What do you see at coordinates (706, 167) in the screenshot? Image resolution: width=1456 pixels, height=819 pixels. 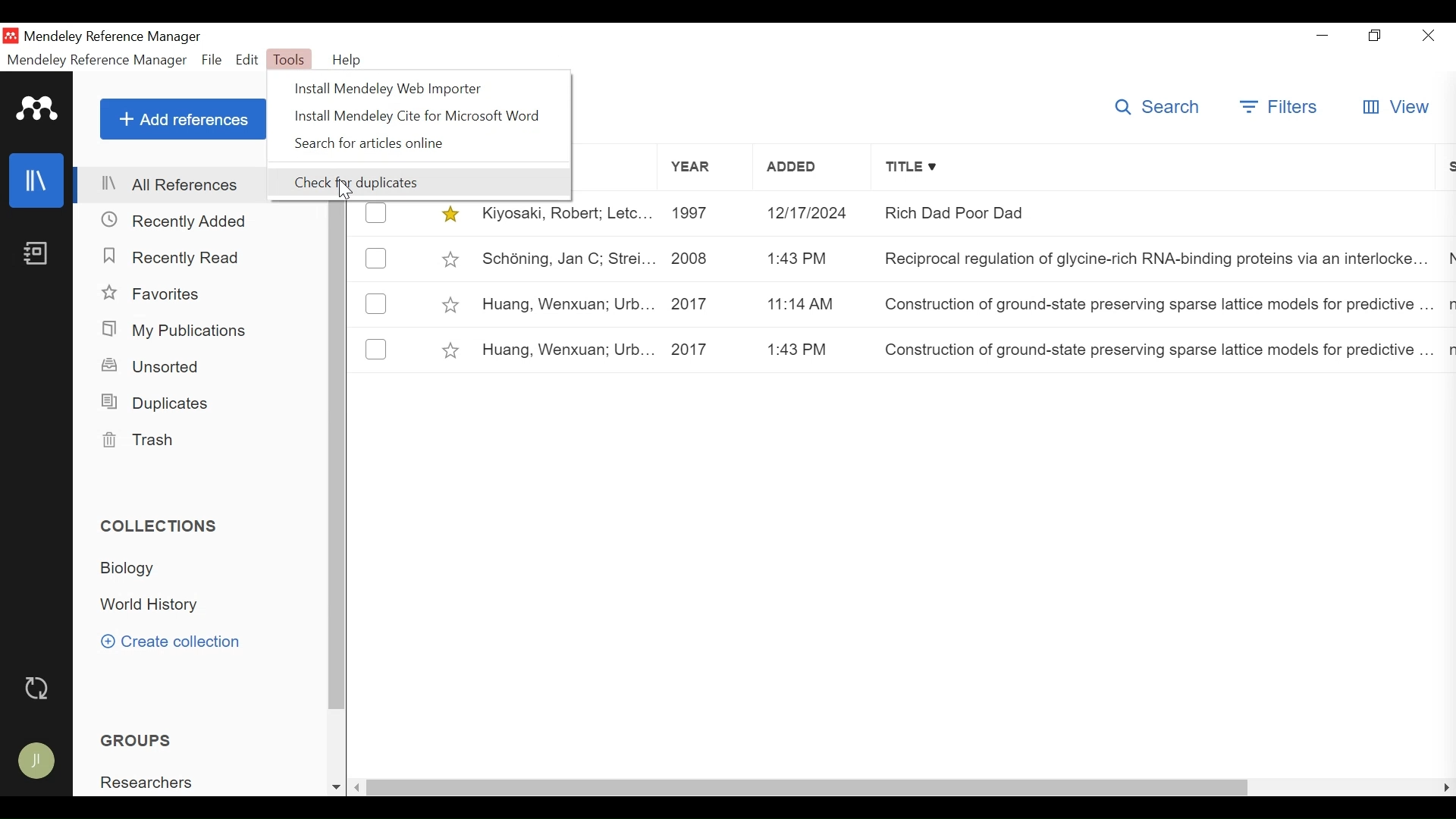 I see `Year` at bounding box center [706, 167].